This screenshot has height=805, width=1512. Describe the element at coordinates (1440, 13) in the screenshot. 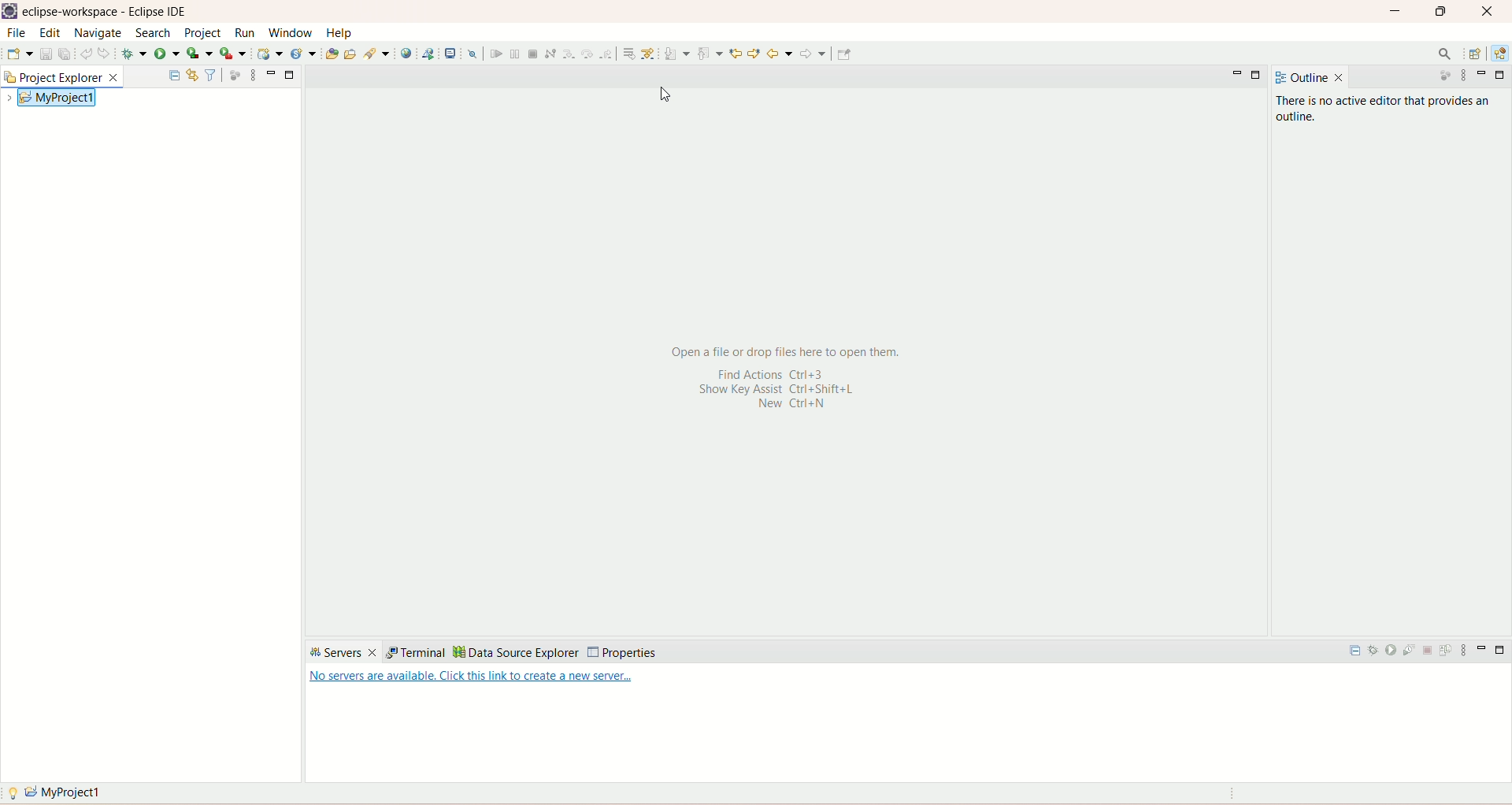

I see `maximize` at that location.